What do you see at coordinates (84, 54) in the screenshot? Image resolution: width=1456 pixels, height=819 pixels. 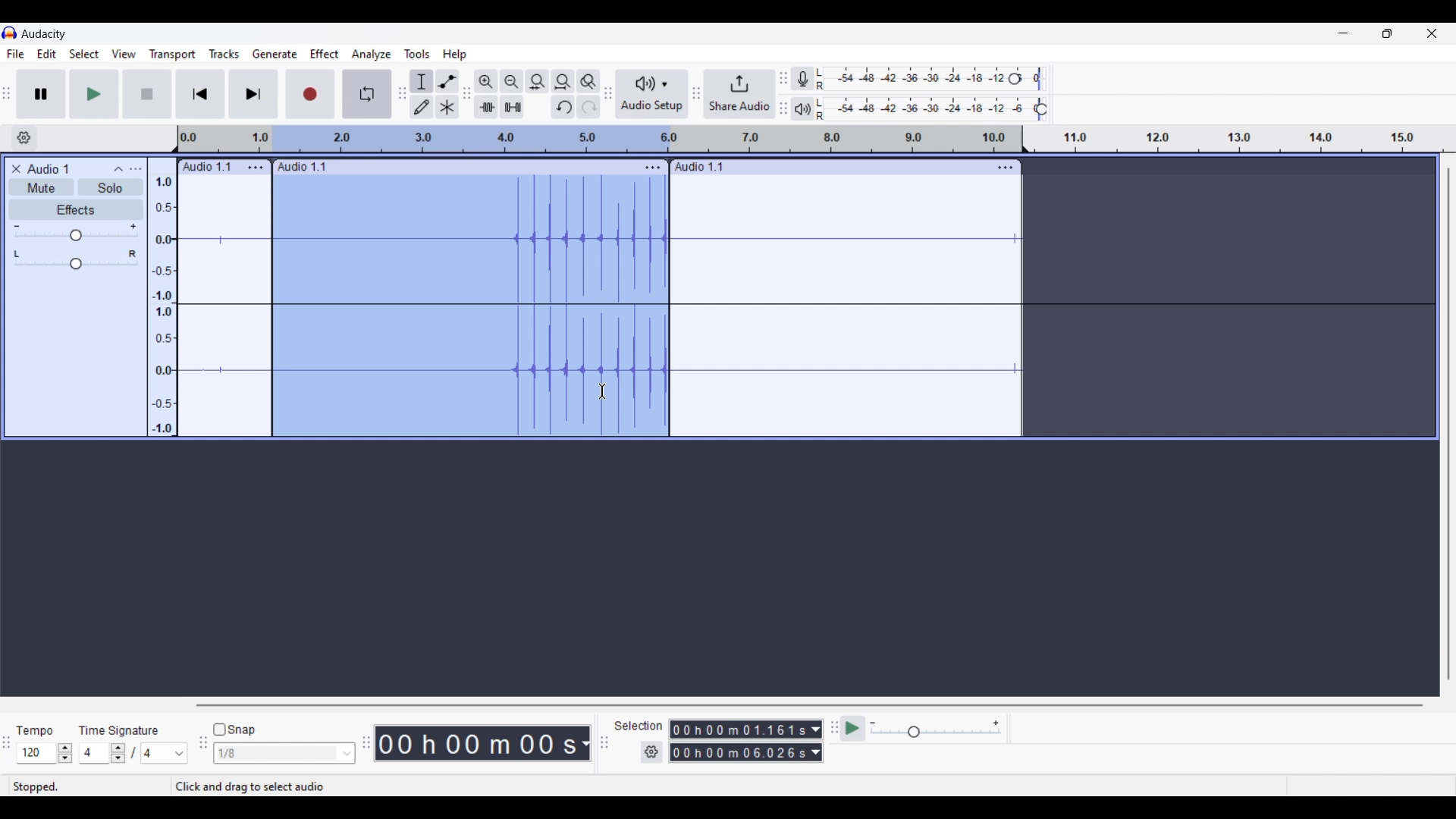 I see `Select menu` at bounding box center [84, 54].